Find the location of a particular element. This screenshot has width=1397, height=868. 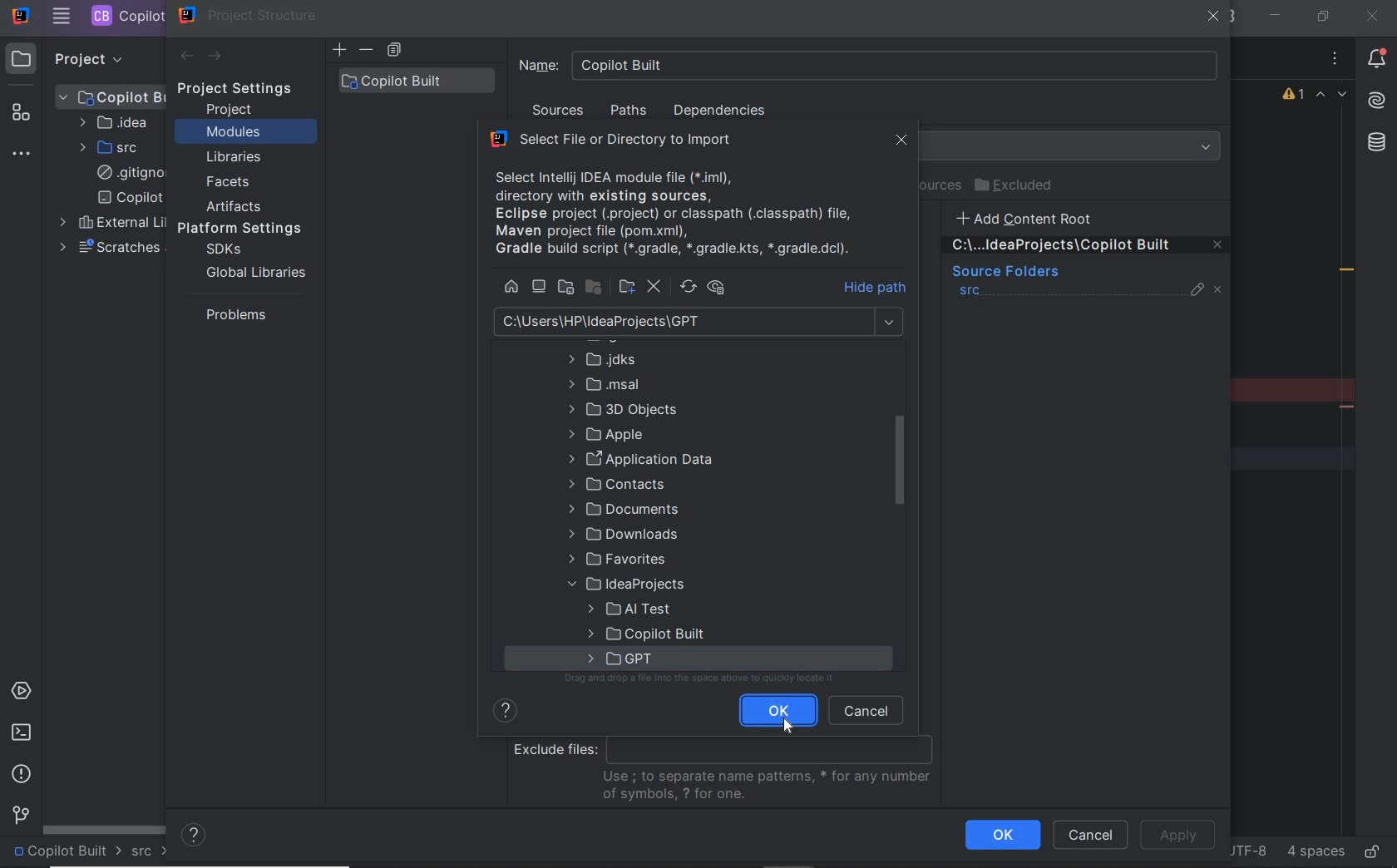

make file ready only is located at coordinates (1371, 851).